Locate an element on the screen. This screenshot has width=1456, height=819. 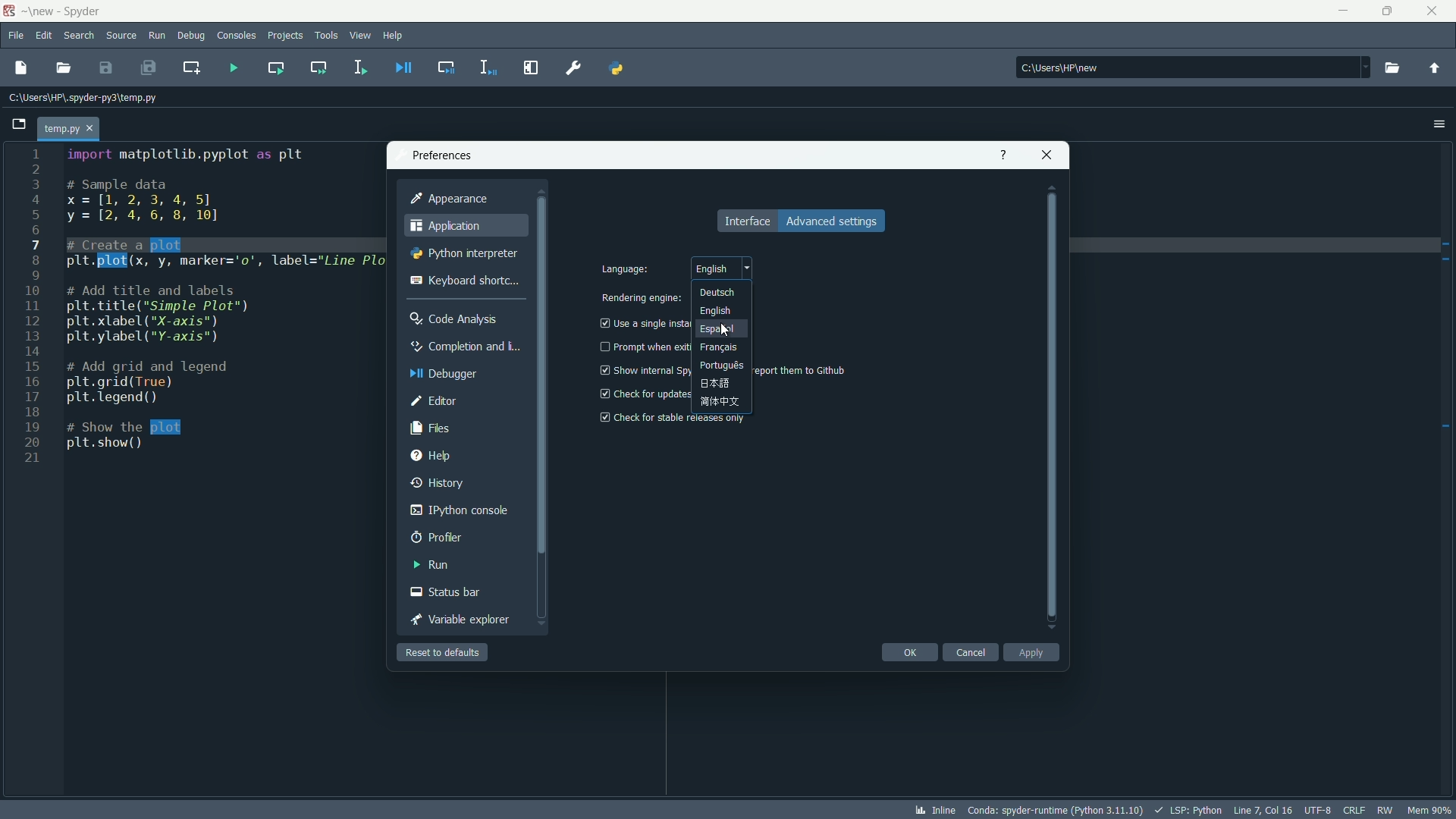
C:\Users\HP\new is located at coordinates (1058, 67).